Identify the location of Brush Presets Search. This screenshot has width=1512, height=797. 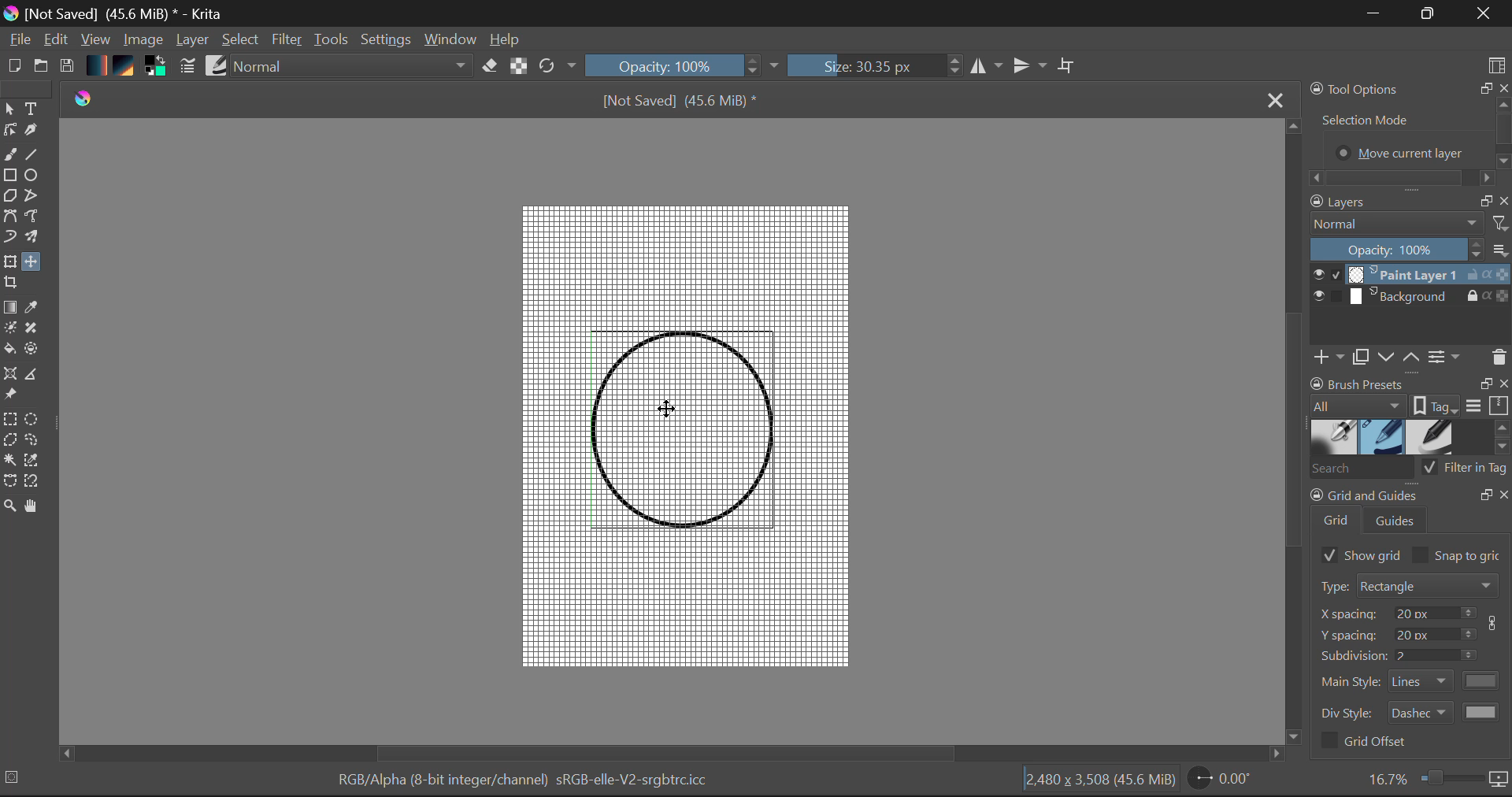
(1410, 472).